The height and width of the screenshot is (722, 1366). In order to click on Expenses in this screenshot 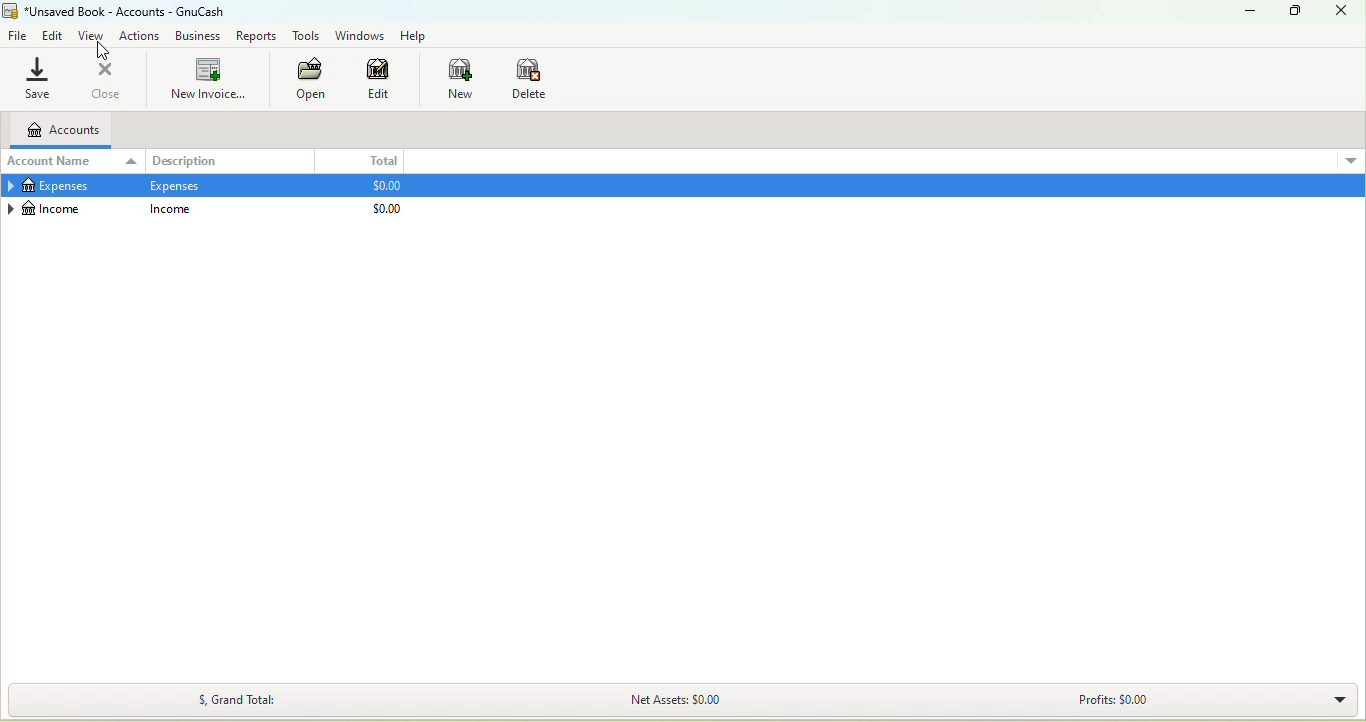, I will do `click(55, 186)`.